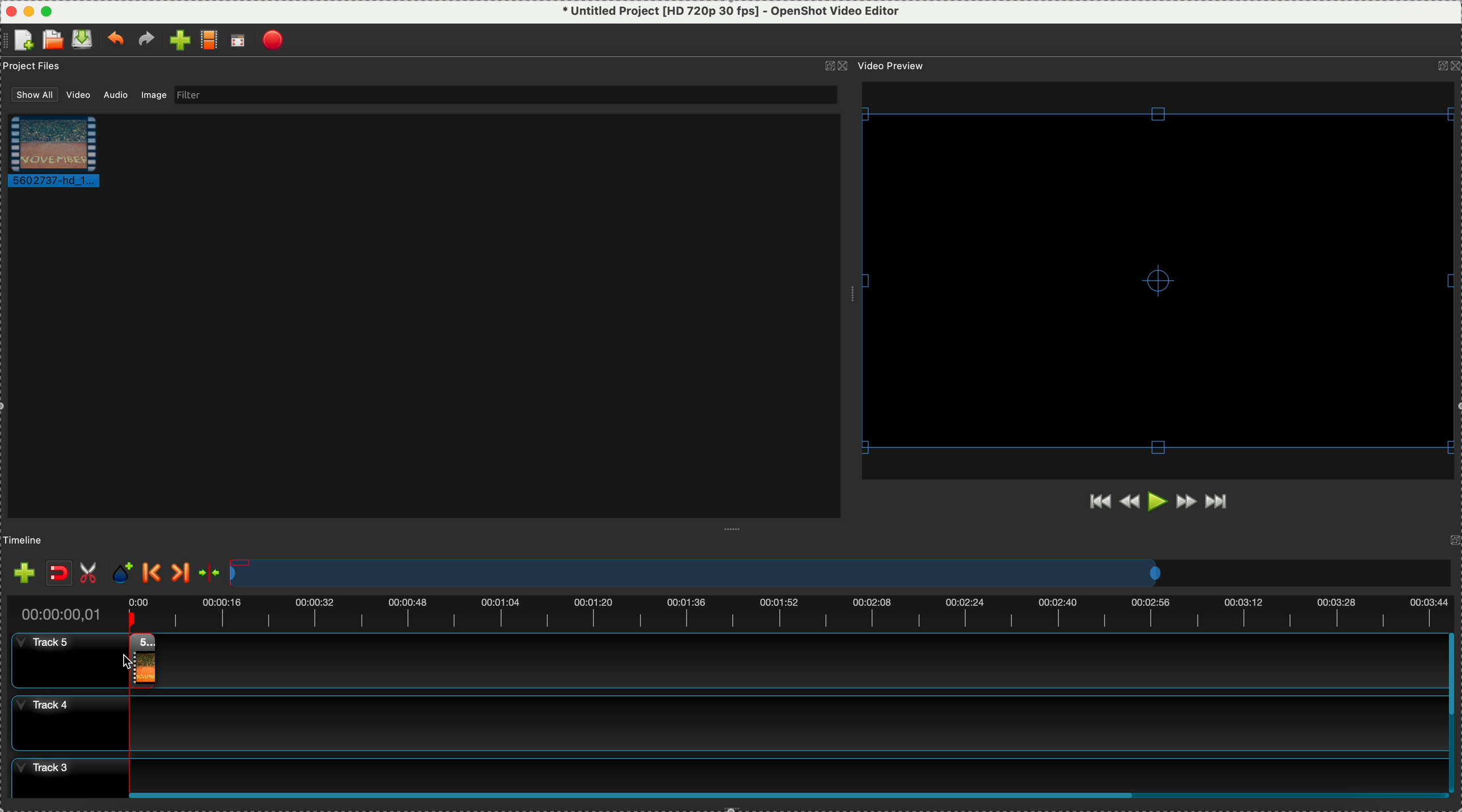 Image resolution: width=1462 pixels, height=812 pixels. I want to click on icons, so click(1447, 67).